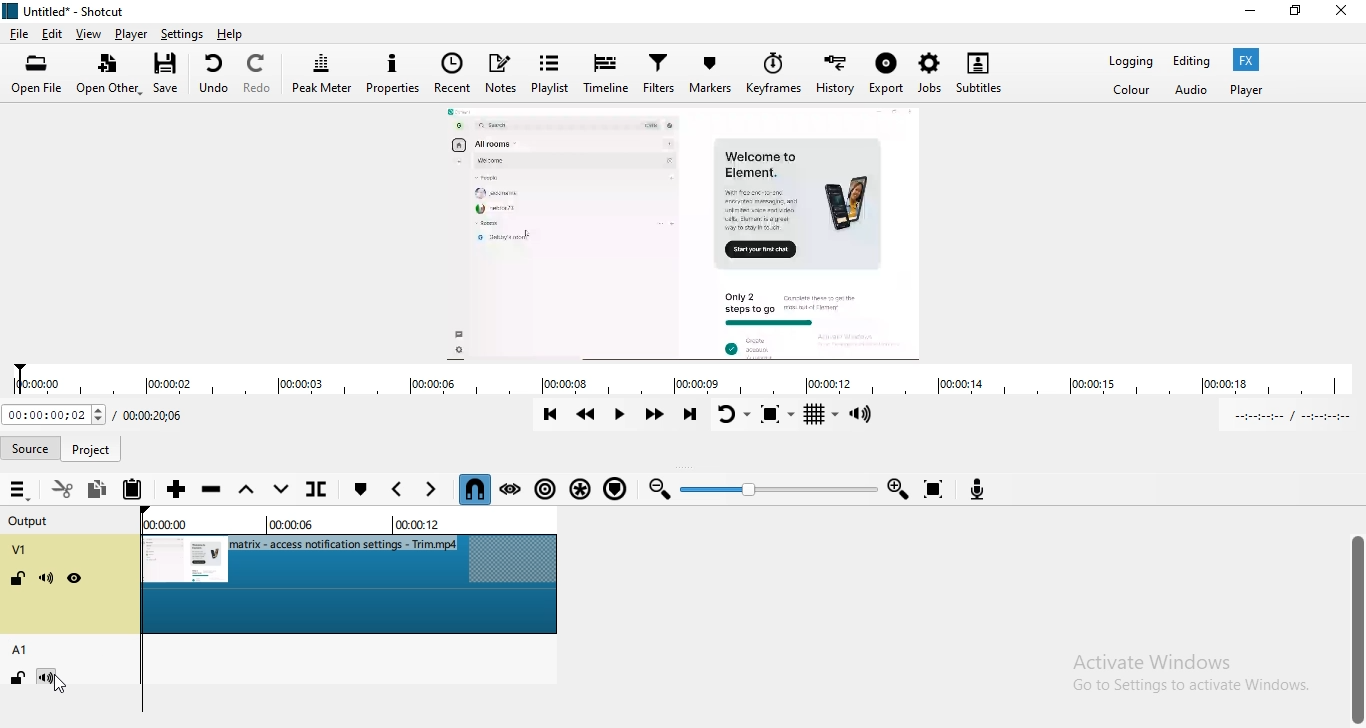 This screenshot has height=728, width=1366. Describe the element at coordinates (355, 586) in the screenshot. I see `Video track` at that location.